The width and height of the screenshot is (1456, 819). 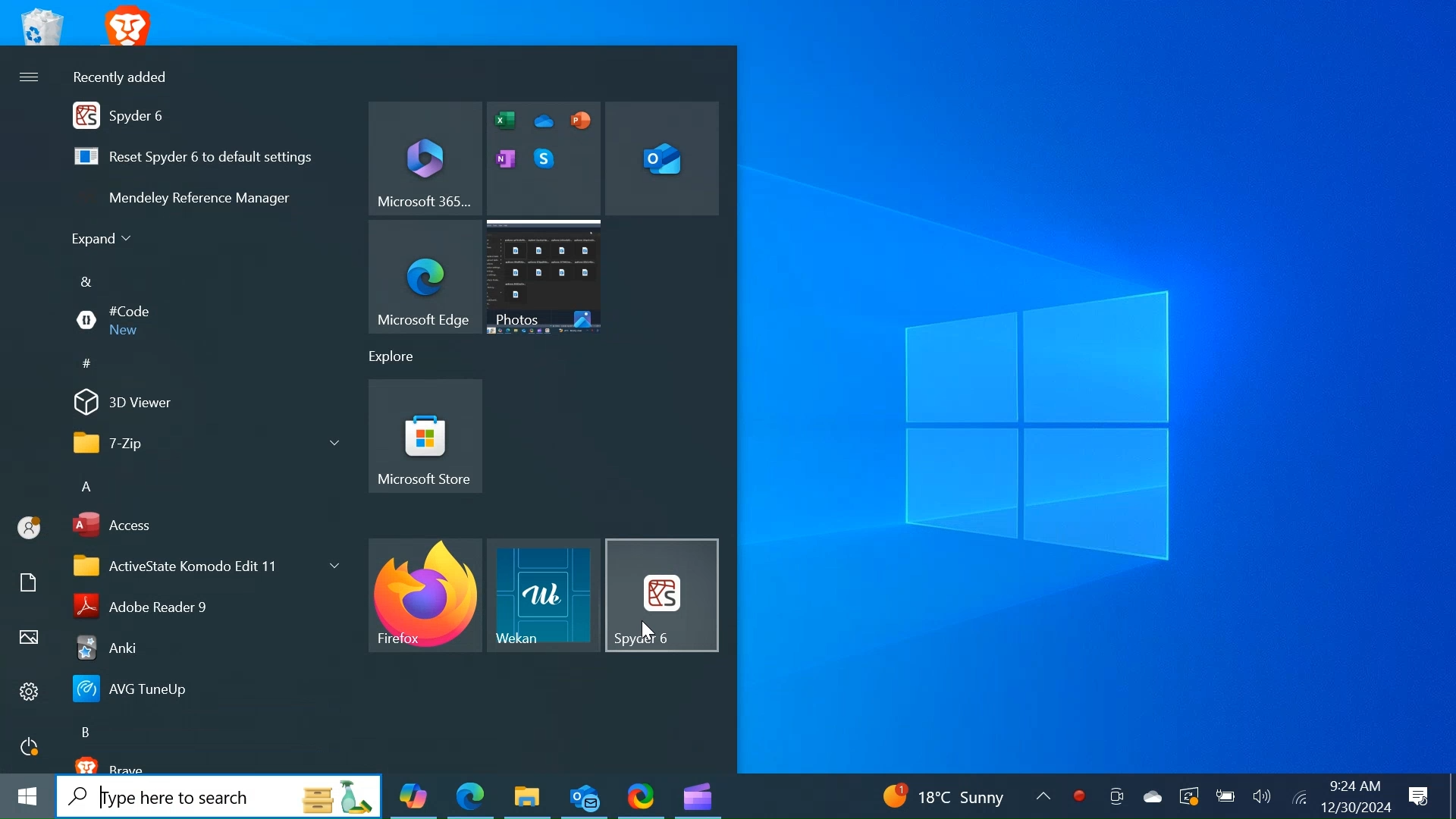 I want to click on Power, so click(x=30, y=748).